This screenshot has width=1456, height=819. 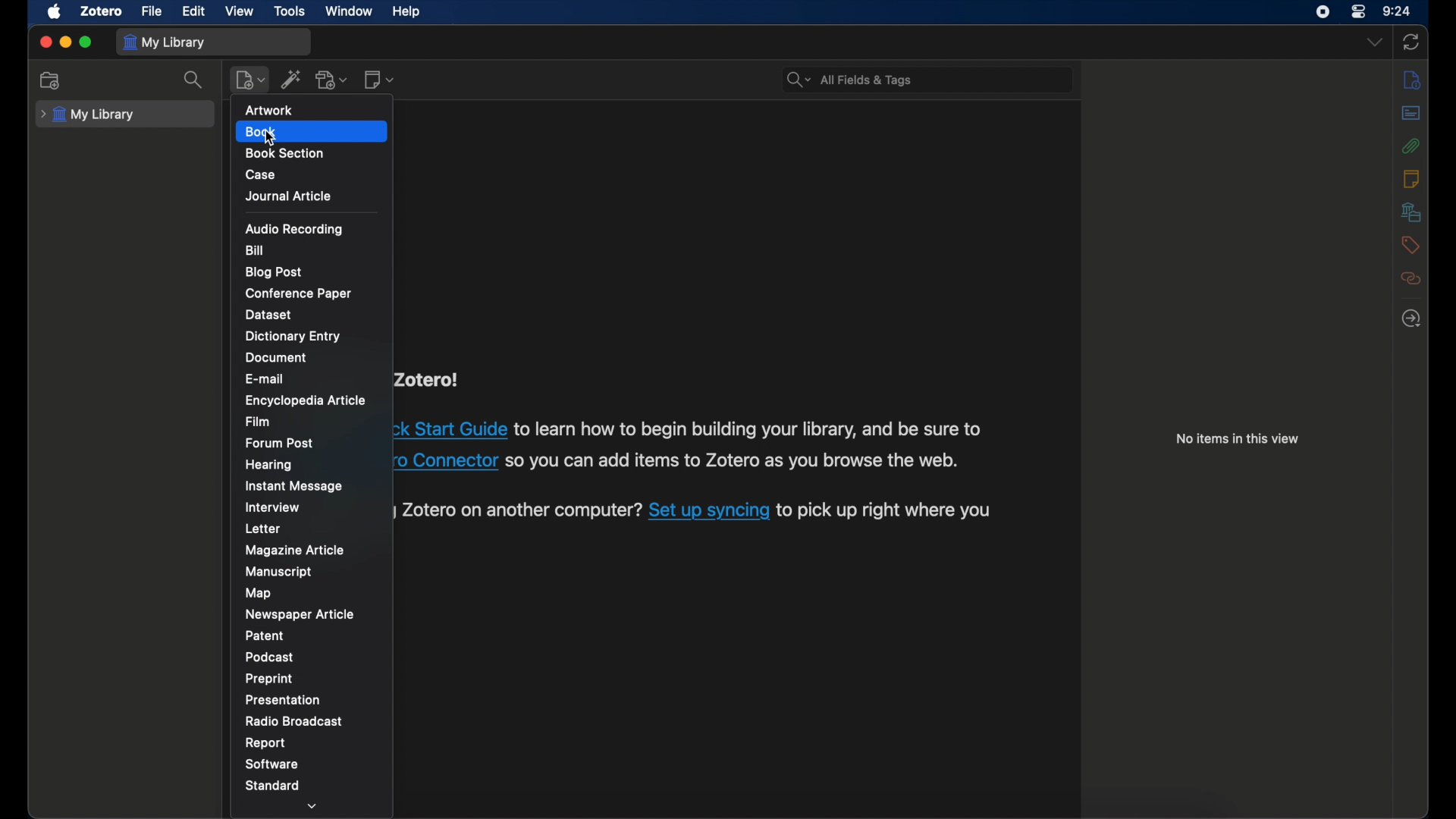 I want to click on film, so click(x=259, y=421).